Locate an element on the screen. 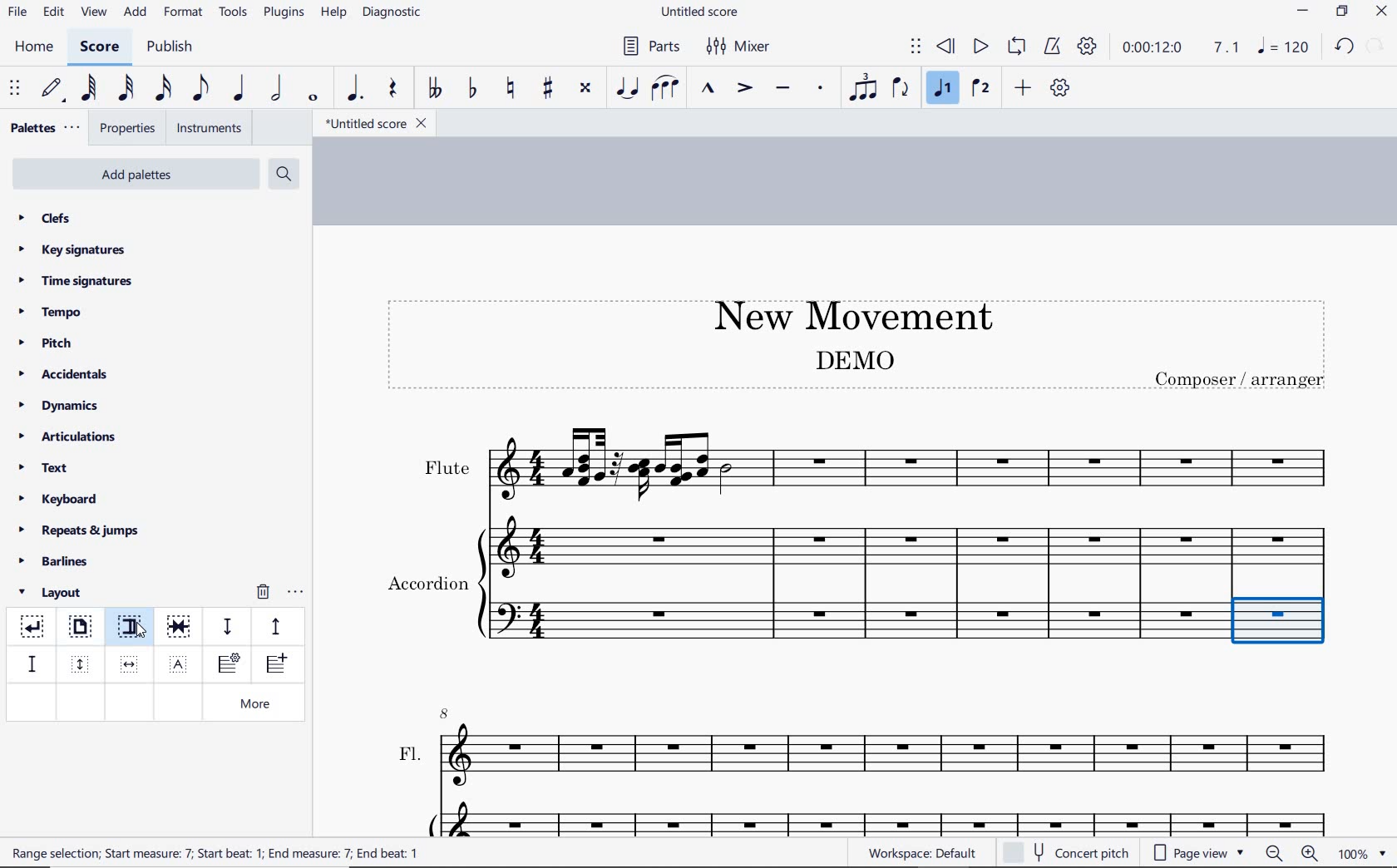  home is located at coordinates (33, 47).